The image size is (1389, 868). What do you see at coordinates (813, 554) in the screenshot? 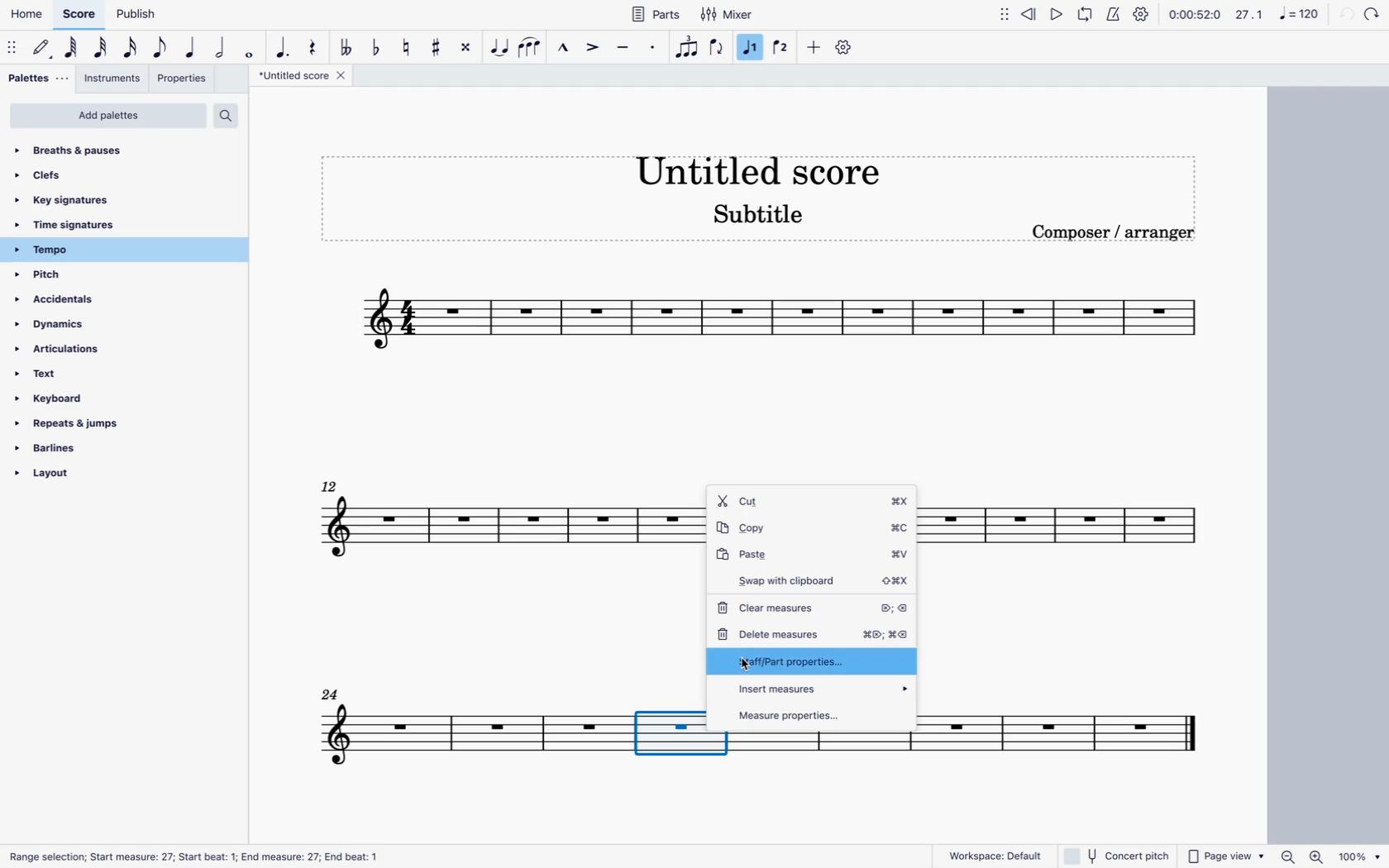
I see `paste` at bounding box center [813, 554].